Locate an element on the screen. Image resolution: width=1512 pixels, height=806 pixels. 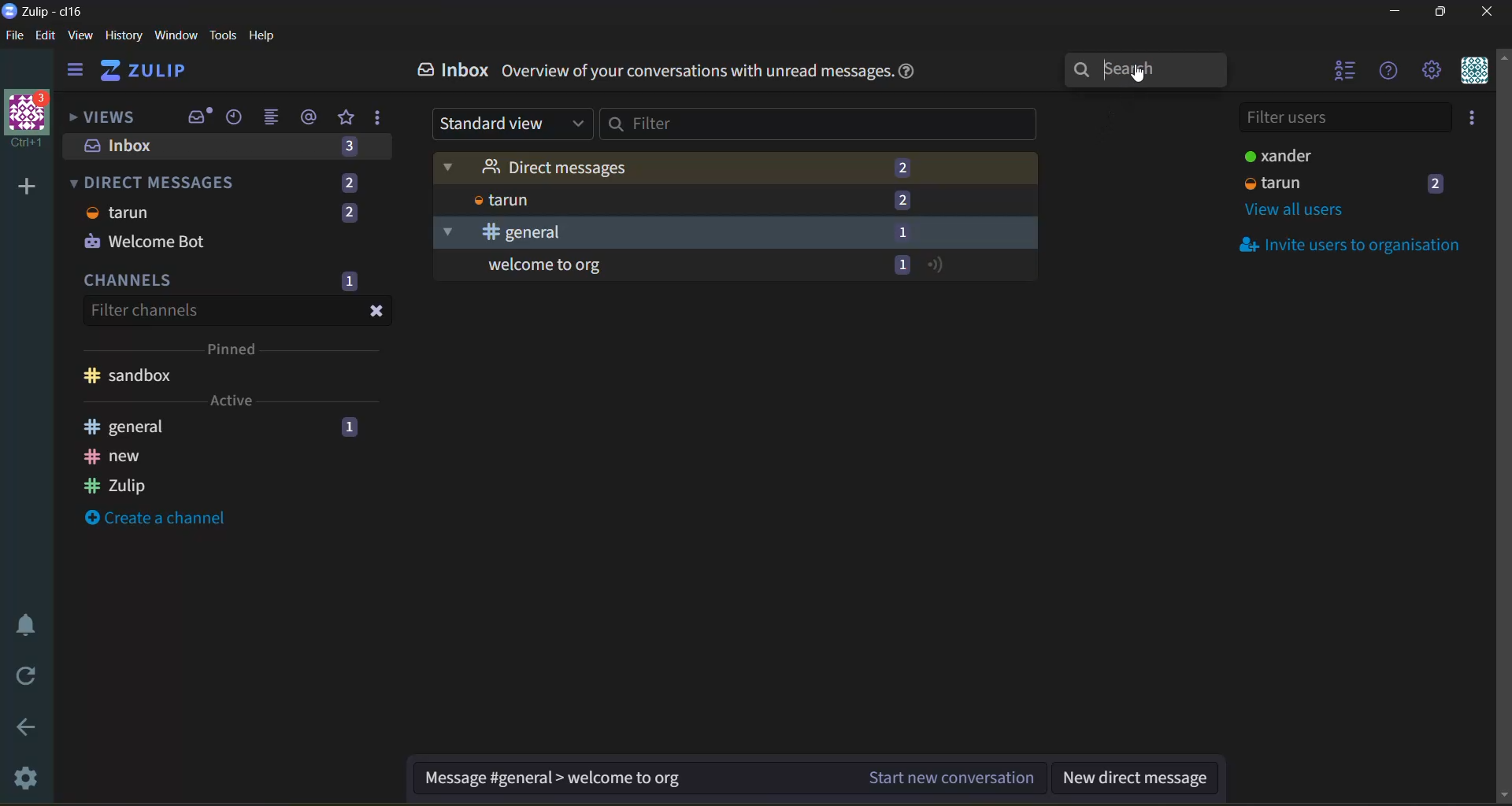
3 is located at coordinates (350, 149).